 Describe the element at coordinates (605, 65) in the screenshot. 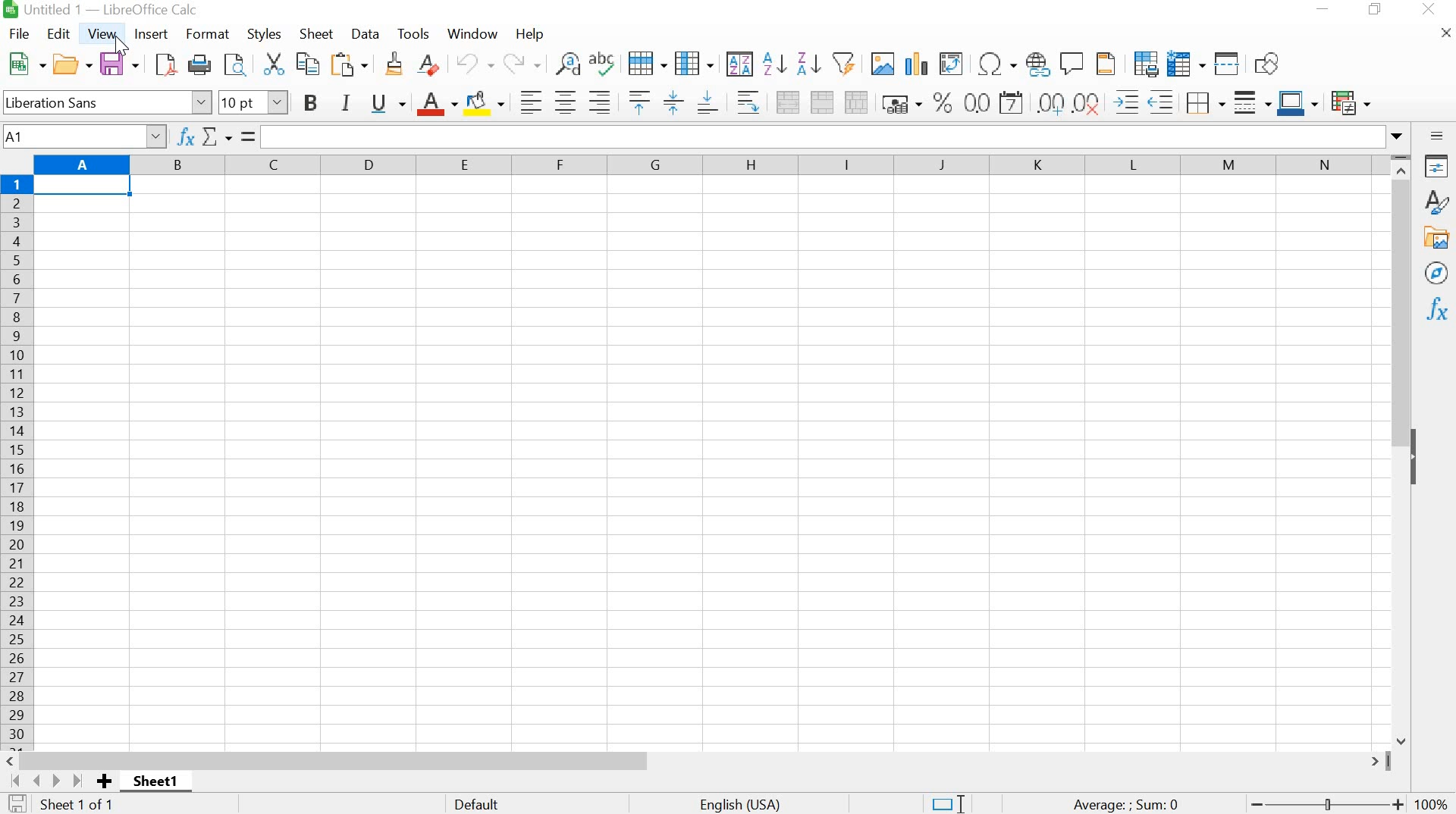

I see `SPELLING` at that location.